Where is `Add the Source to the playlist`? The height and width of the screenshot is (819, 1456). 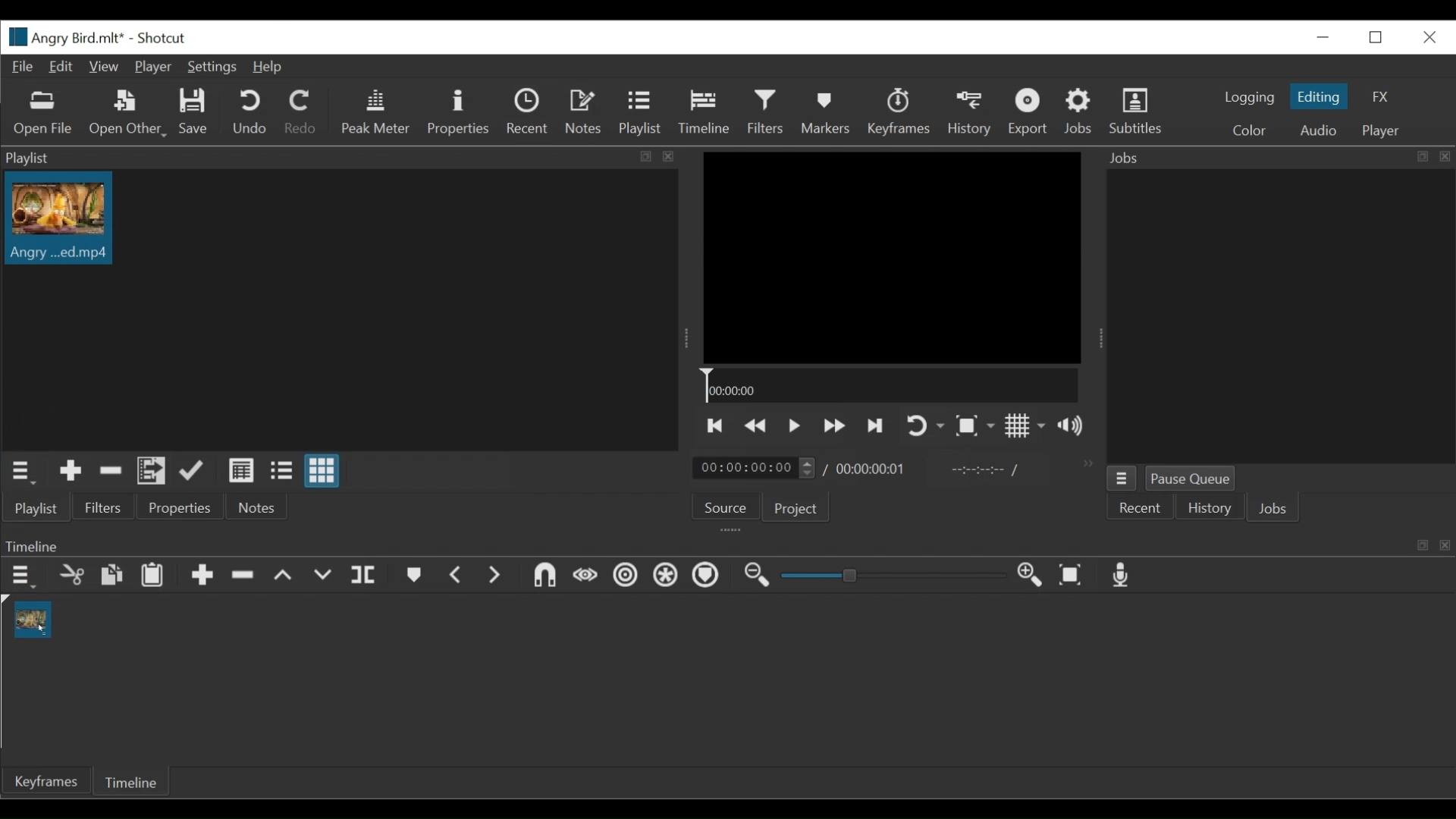 Add the Source to the playlist is located at coordinates (69, 471).